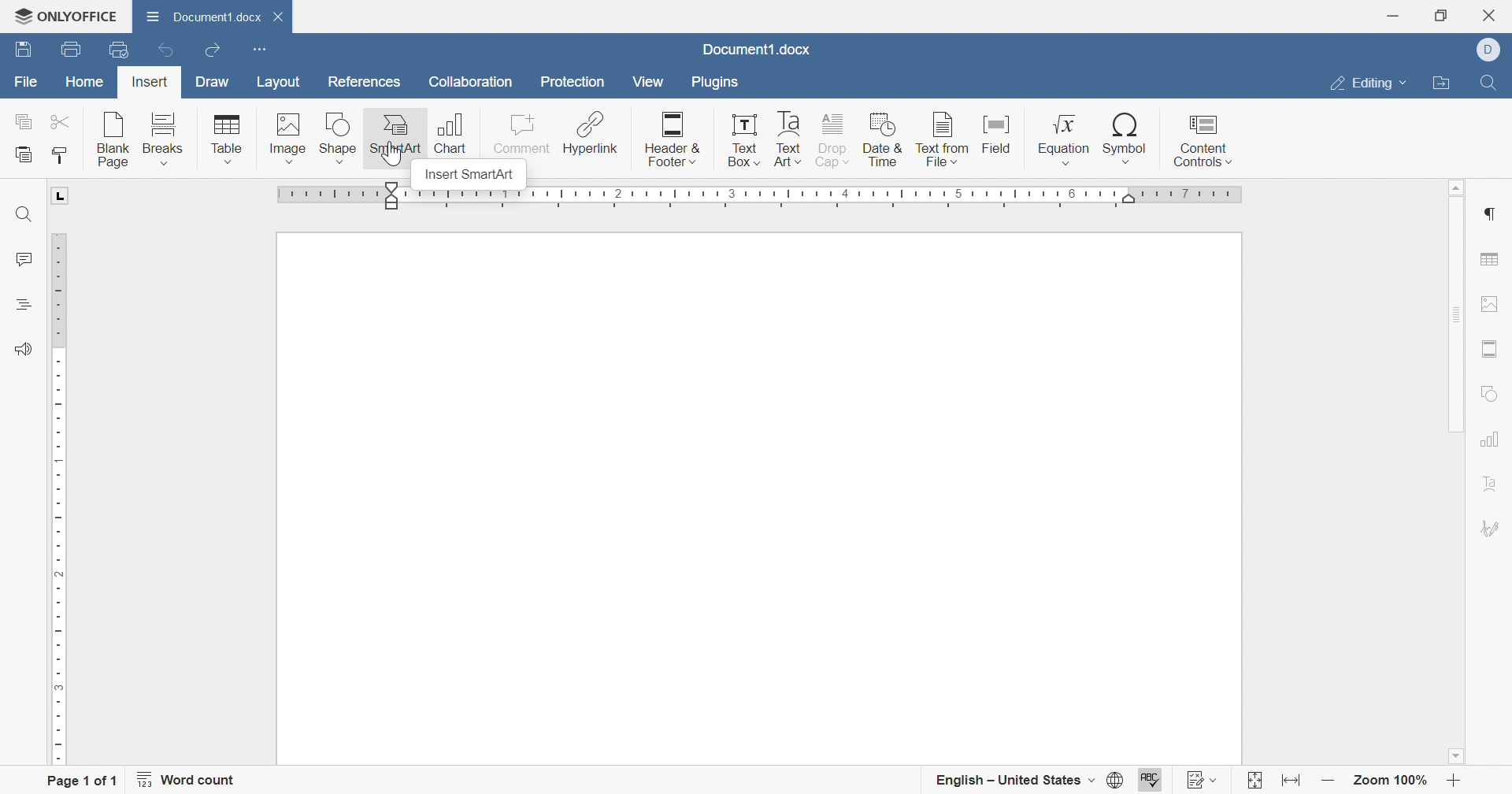 This screenshot has width=1512, height=794. What do you see at coordinates (18, 349) in the screenshot?
I see `Feedback & Support` at bounding box center [18, 349].